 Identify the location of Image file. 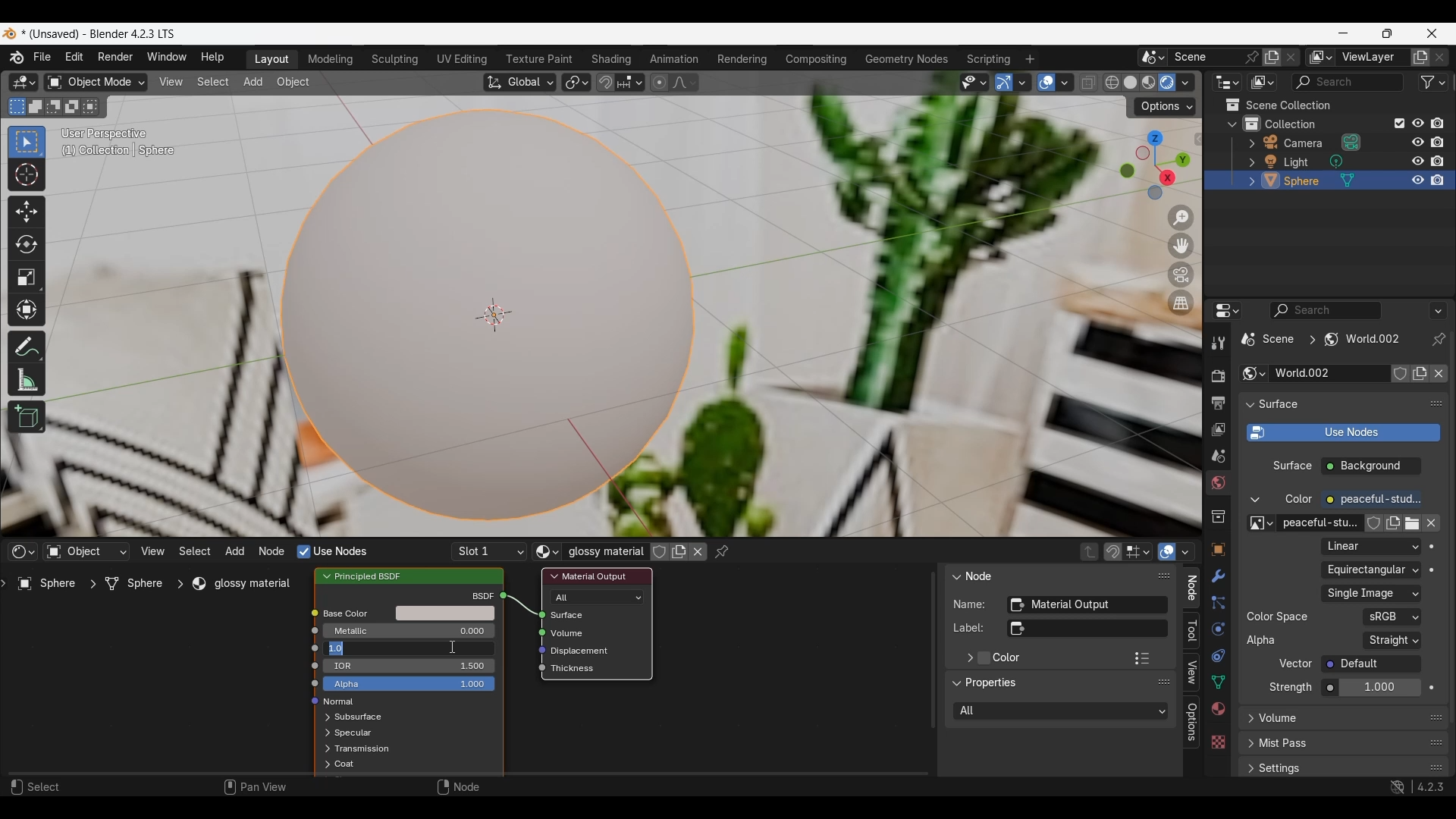
(1371, 594).